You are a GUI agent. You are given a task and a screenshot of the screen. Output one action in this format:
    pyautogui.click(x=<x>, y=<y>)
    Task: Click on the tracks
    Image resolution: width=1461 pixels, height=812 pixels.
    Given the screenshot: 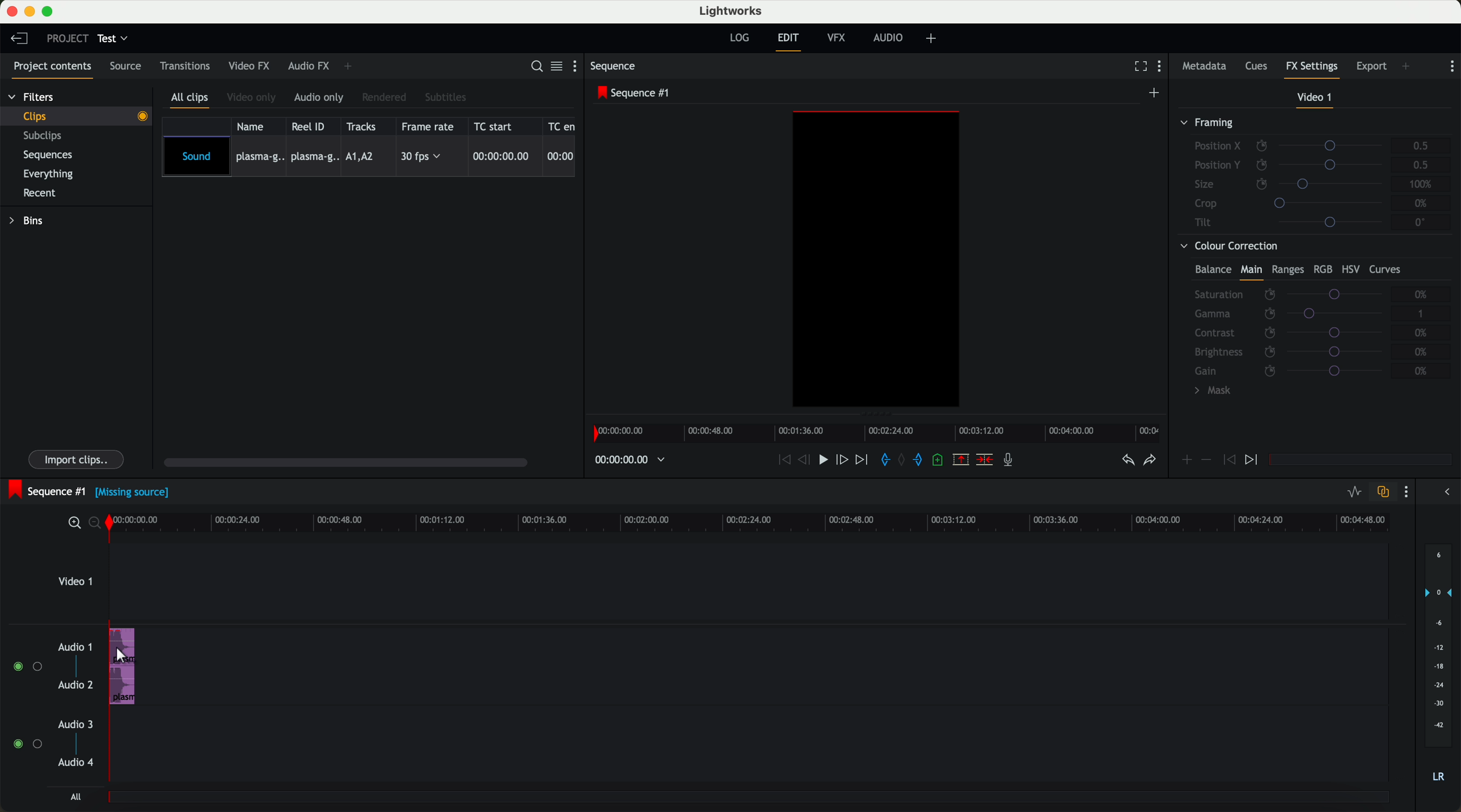 What is the action you would take?
    pyautogui.click(x=364, y=126)
    